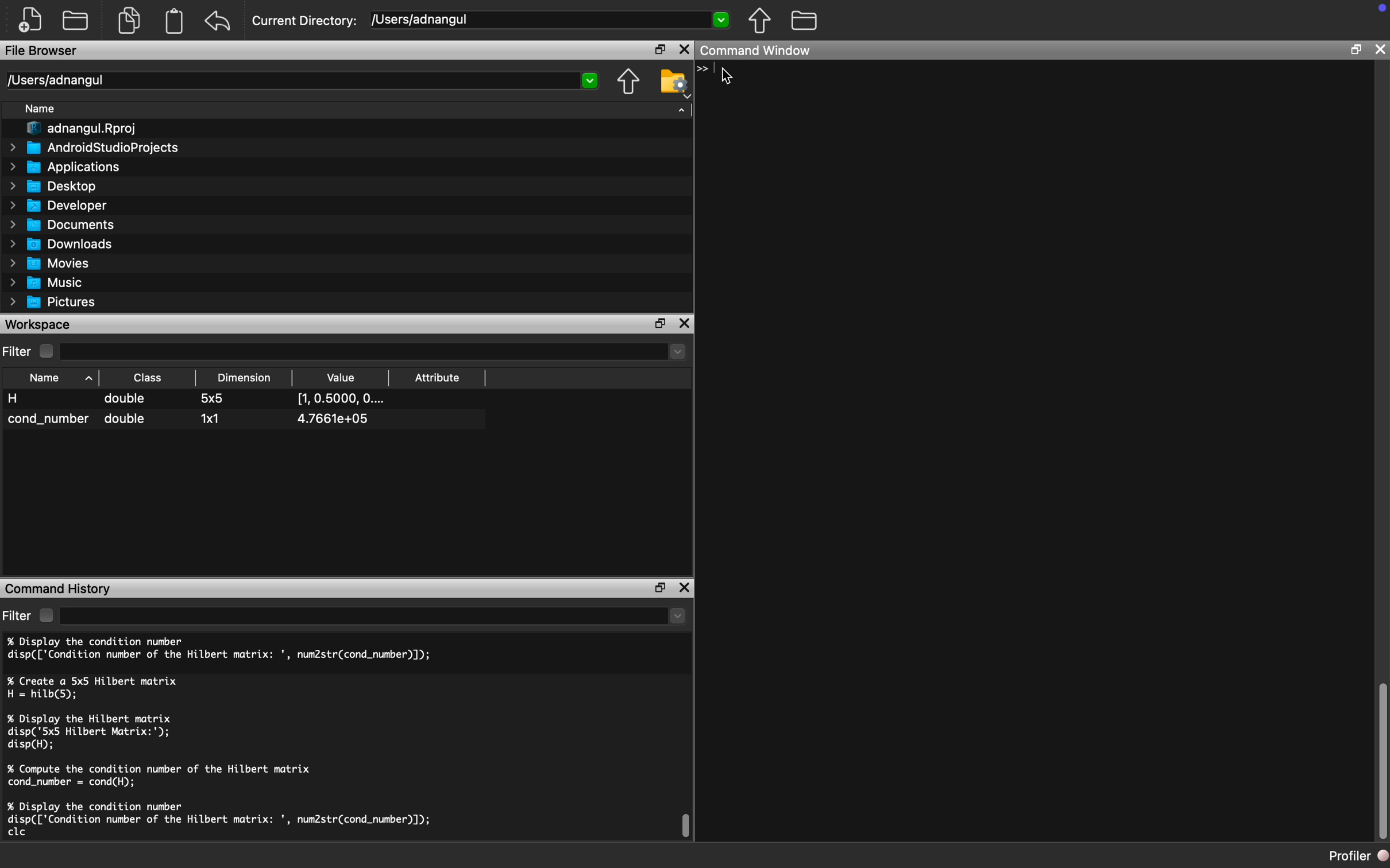  Describe the element at coordinates (375, 617) in the screenshot. I see `dropdown` at that location.